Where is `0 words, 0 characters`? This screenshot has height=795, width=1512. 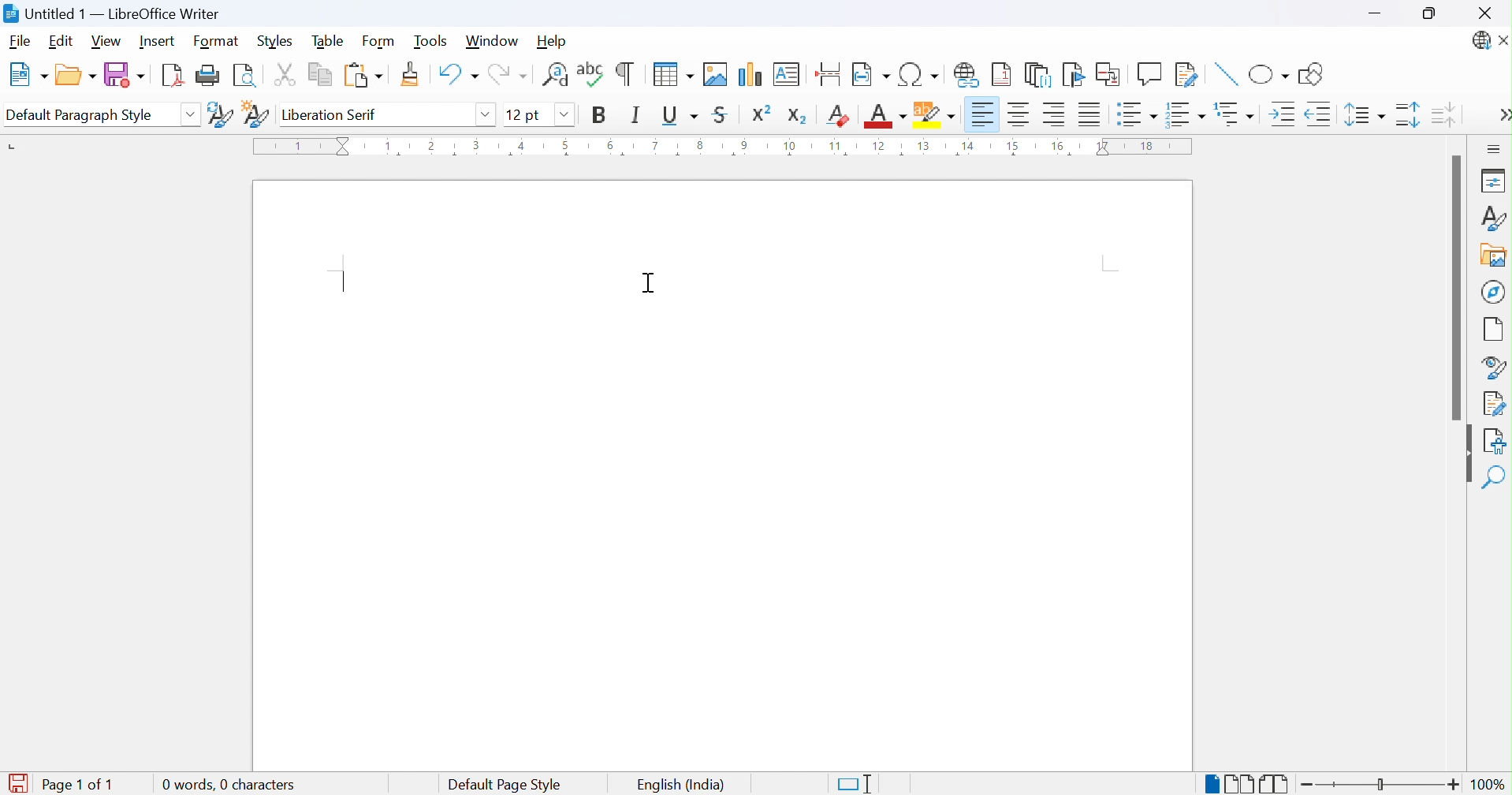
0 words, 0 characters is located at coordinates (226, 784).